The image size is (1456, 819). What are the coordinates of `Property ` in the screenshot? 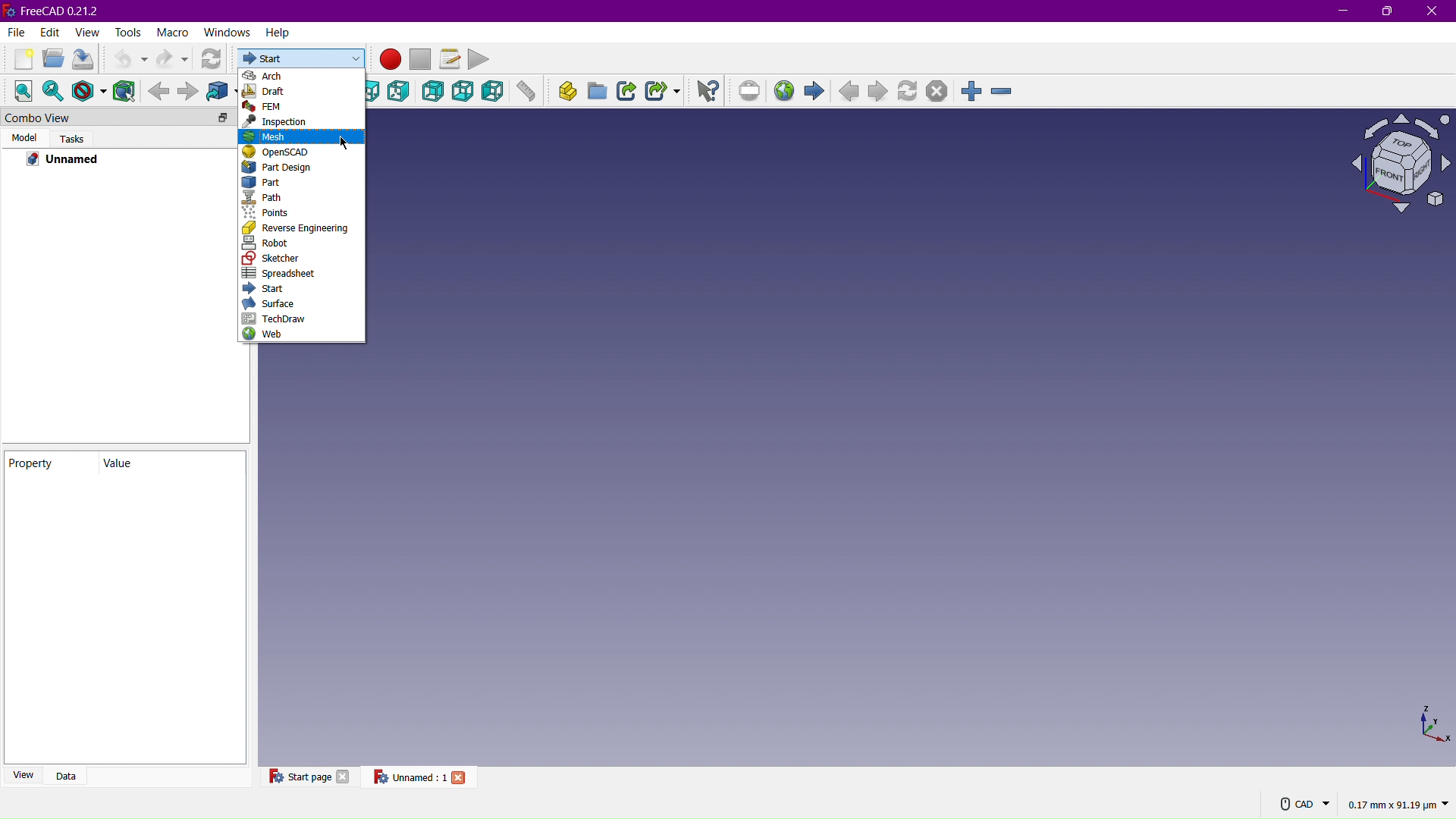 It's located at (51, 463).